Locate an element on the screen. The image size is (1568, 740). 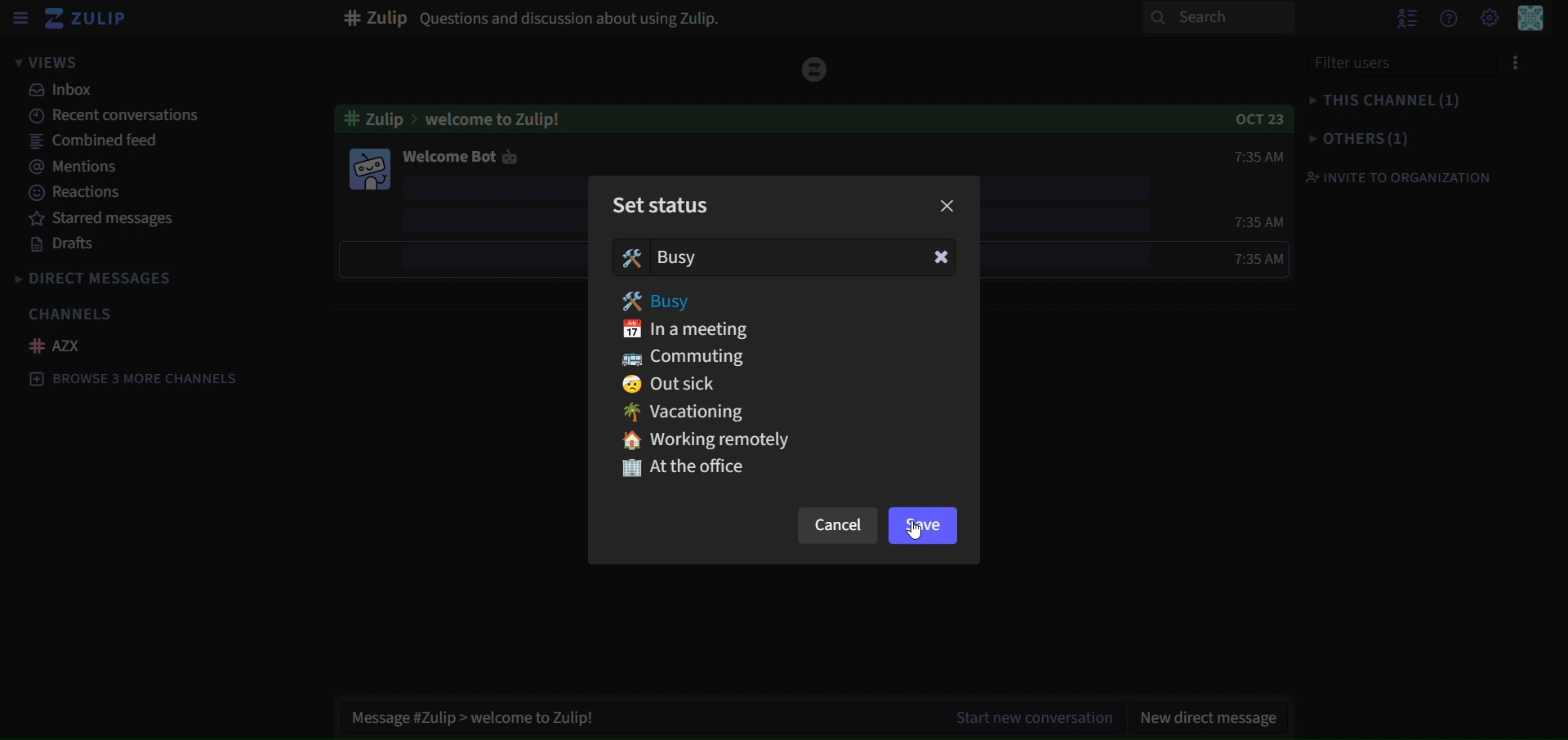
new direct message is located at coordinates (1214, 708).